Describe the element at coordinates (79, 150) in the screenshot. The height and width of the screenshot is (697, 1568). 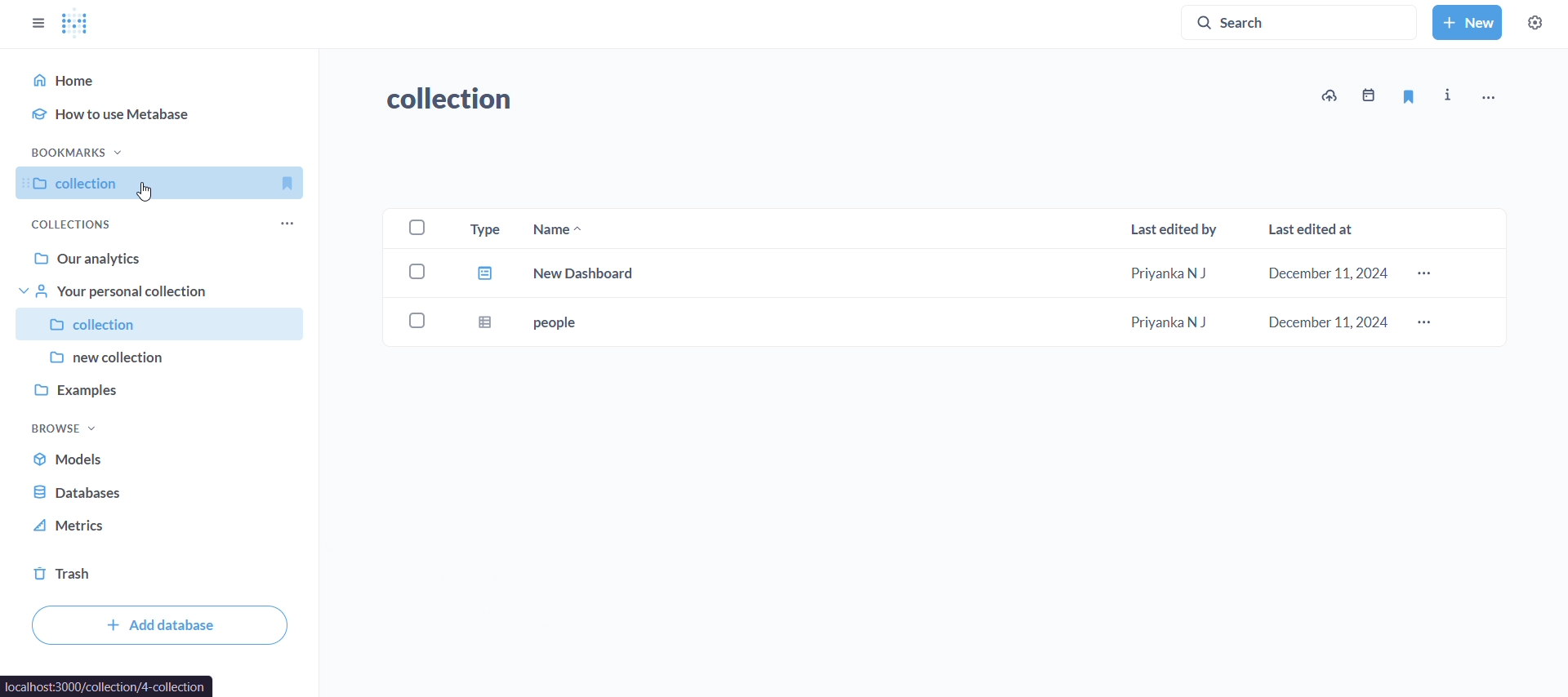
I see `bookmarks` at that location.